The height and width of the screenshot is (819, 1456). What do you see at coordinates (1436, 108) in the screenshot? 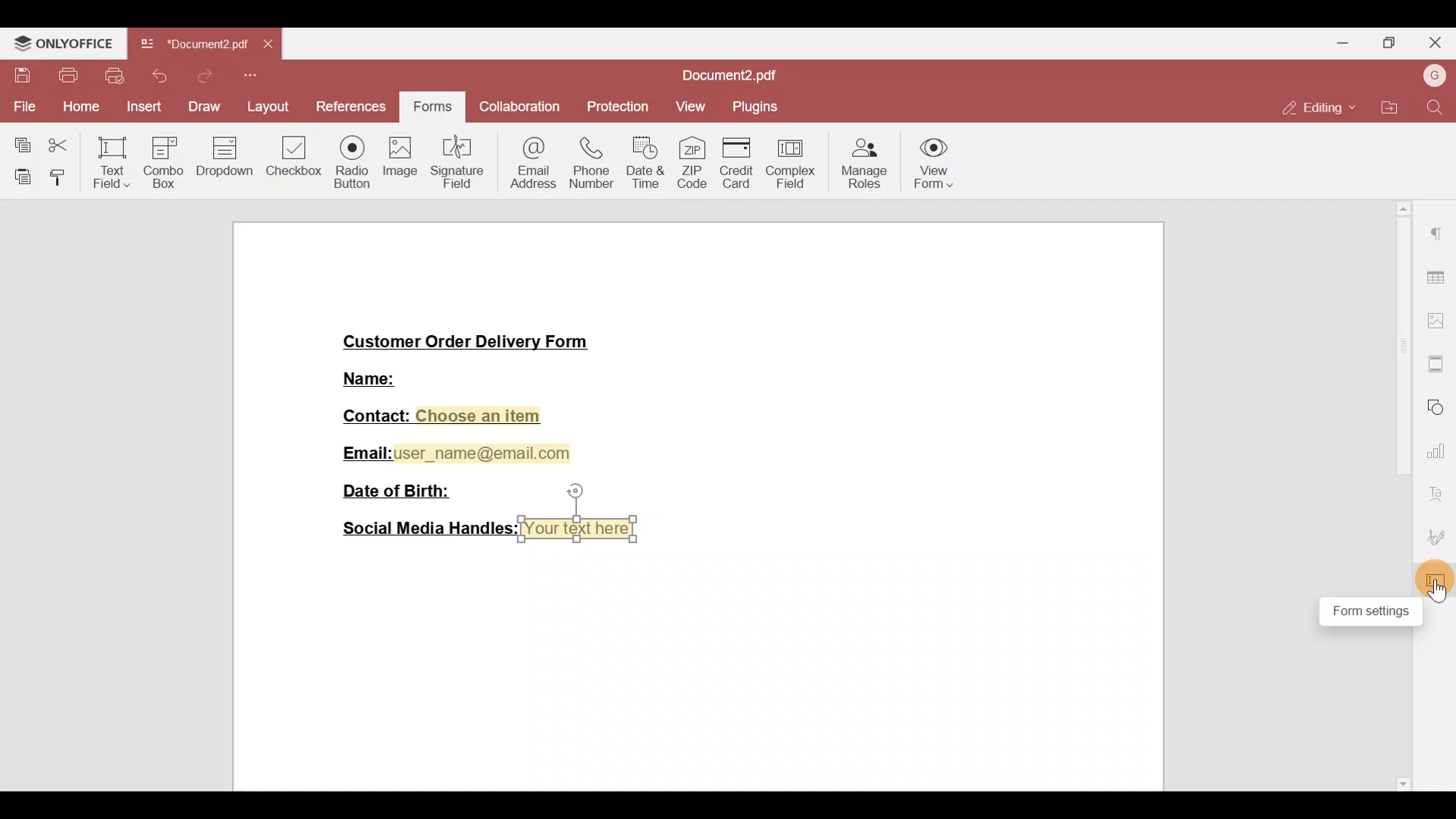
I see `Find` at bounding box center [1436, 108].